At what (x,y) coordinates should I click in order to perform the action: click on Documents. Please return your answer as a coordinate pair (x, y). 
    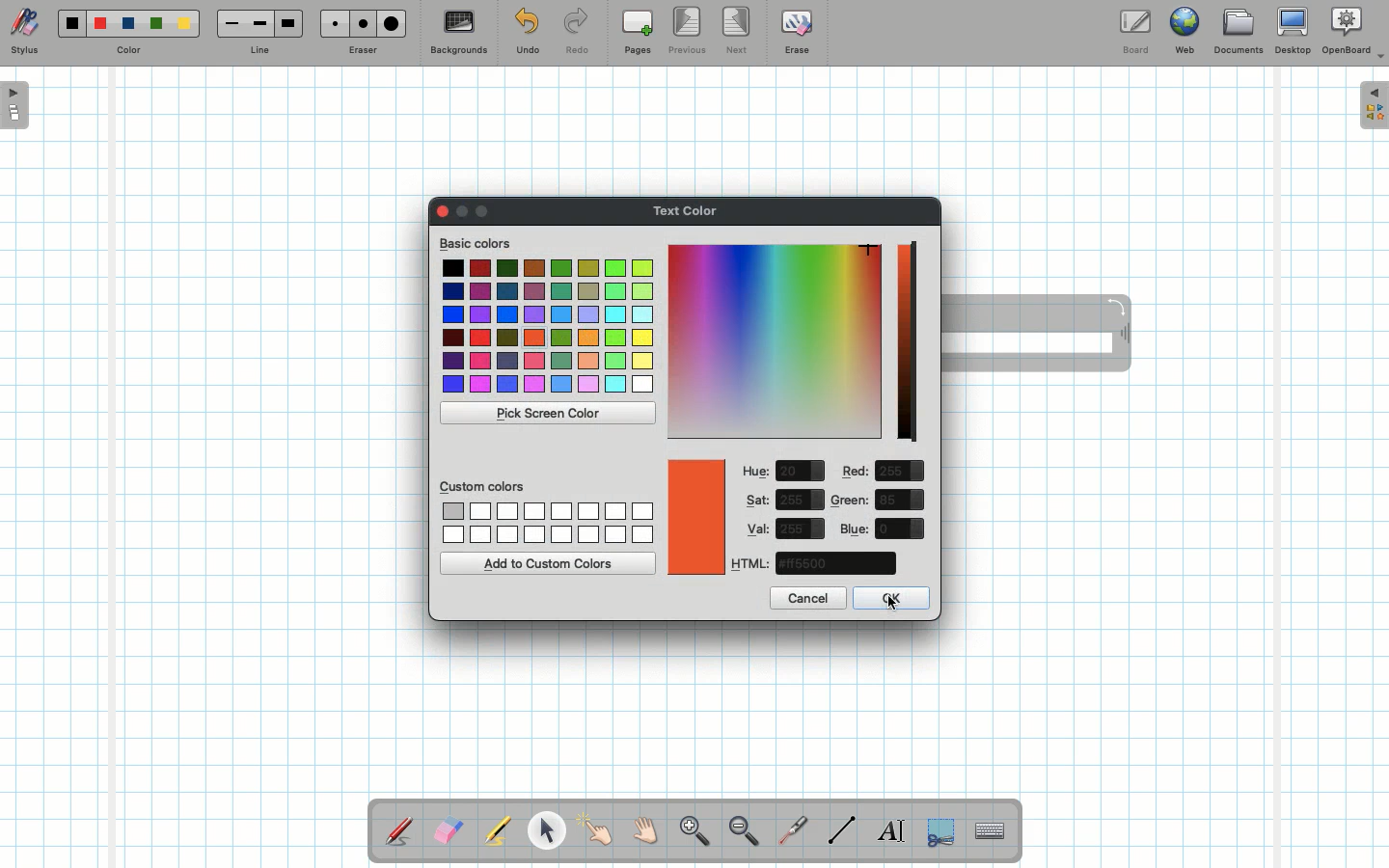
    Looking at the image, I should click on (1238, 34).